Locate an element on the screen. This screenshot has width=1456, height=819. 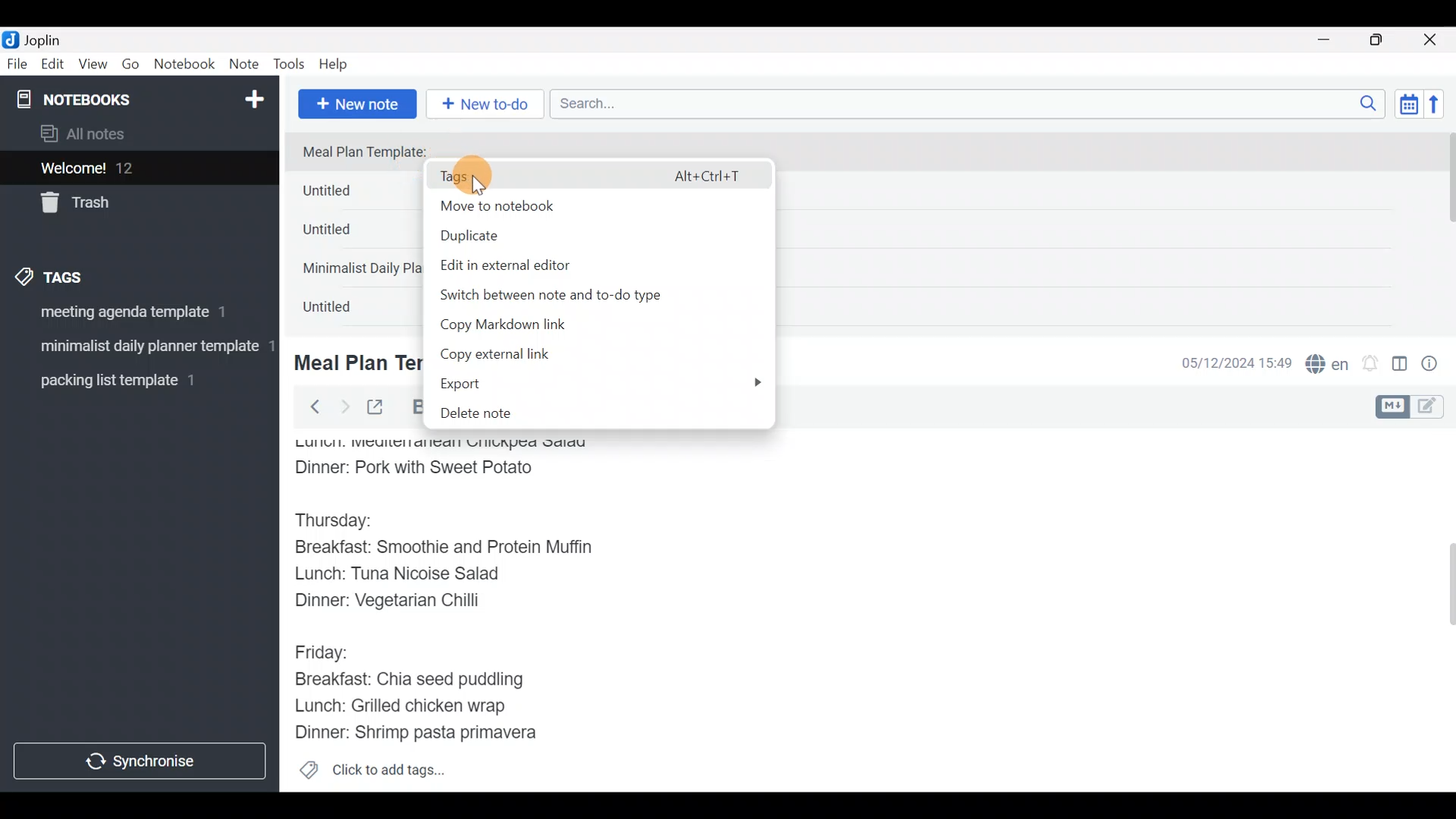
Edit is located at coordinates (53, 67).